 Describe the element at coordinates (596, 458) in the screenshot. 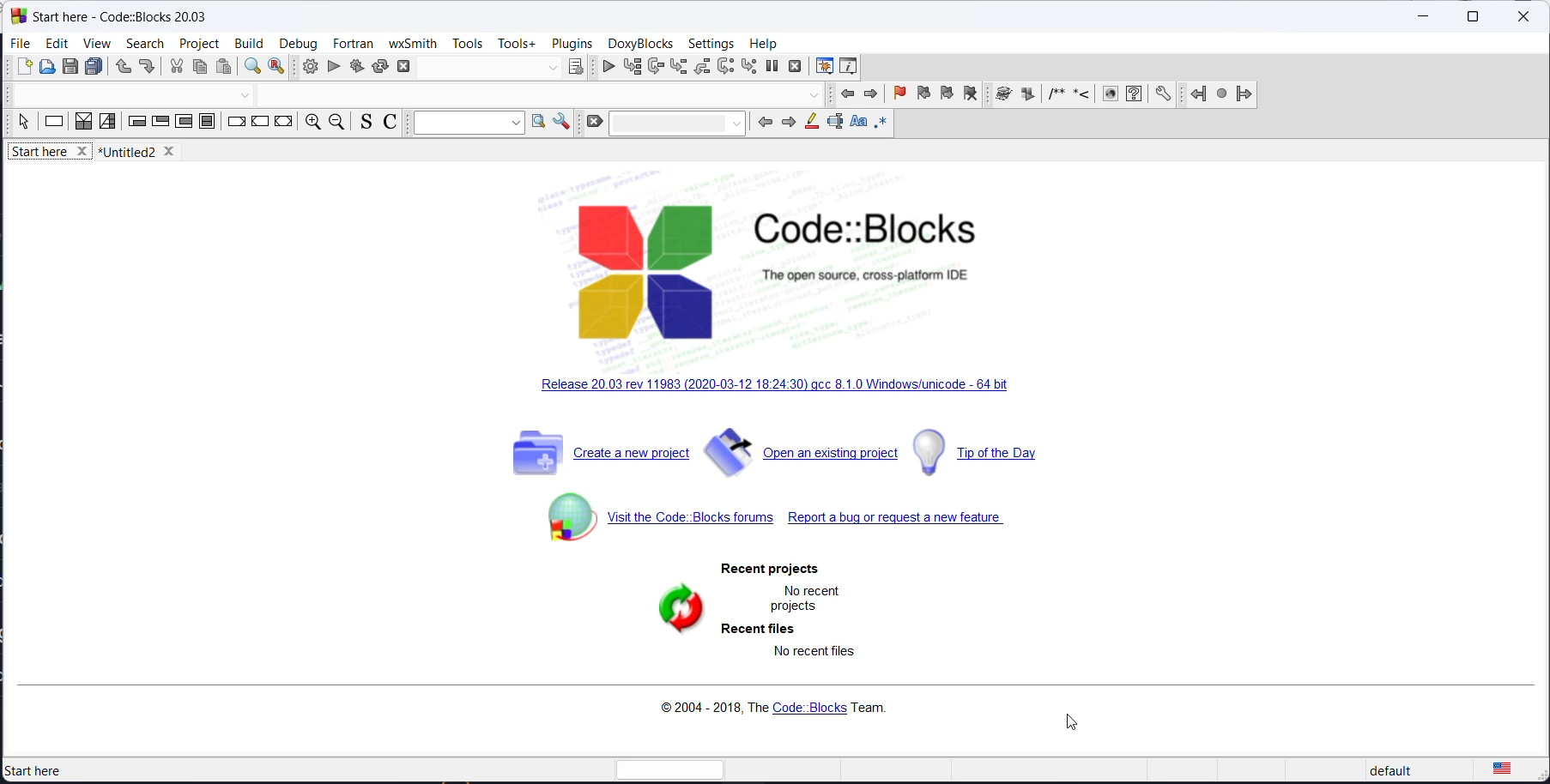

I see `create new project` at that location.